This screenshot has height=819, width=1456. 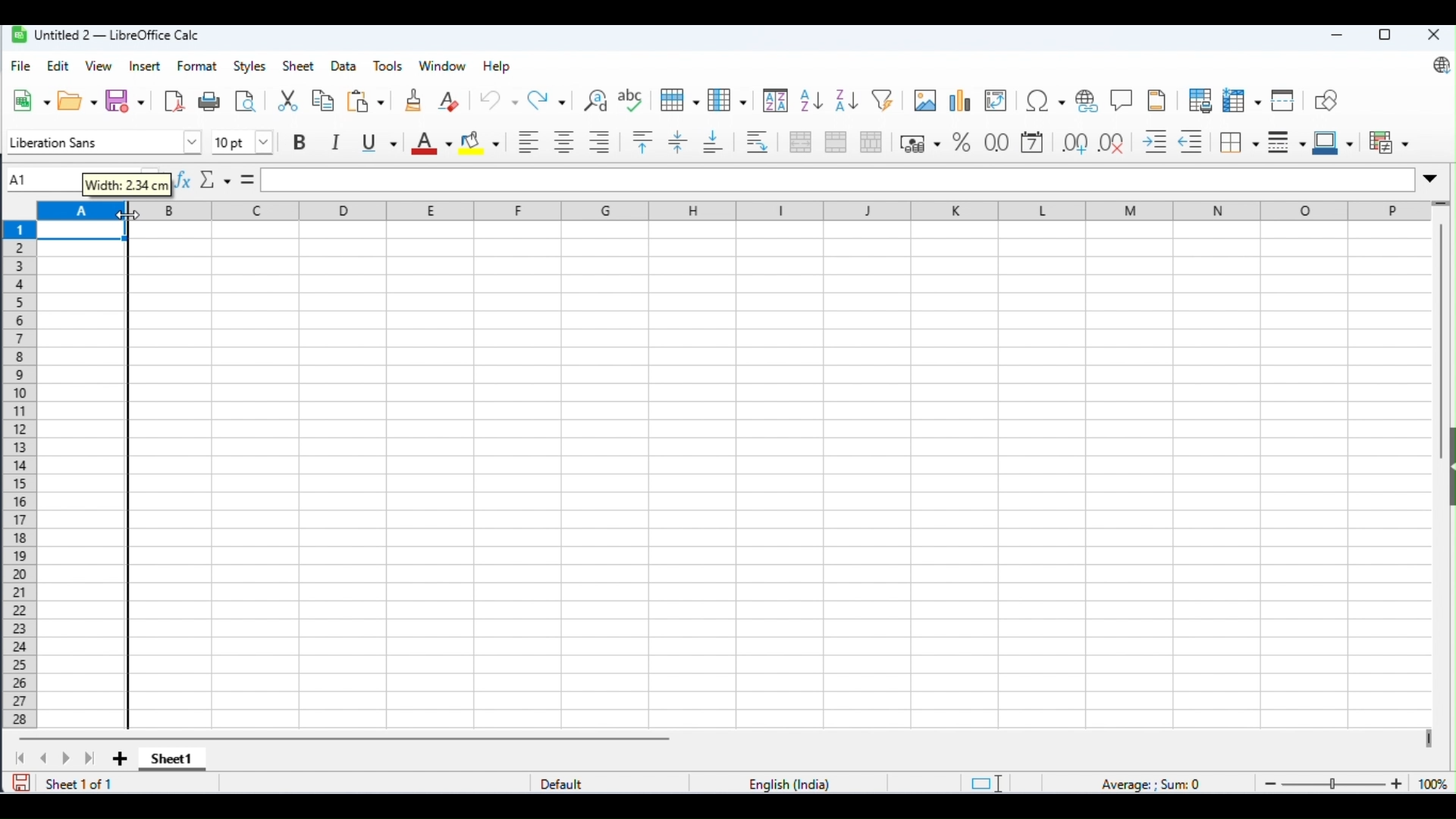 I want to click on default, so click(x=569, y=783).